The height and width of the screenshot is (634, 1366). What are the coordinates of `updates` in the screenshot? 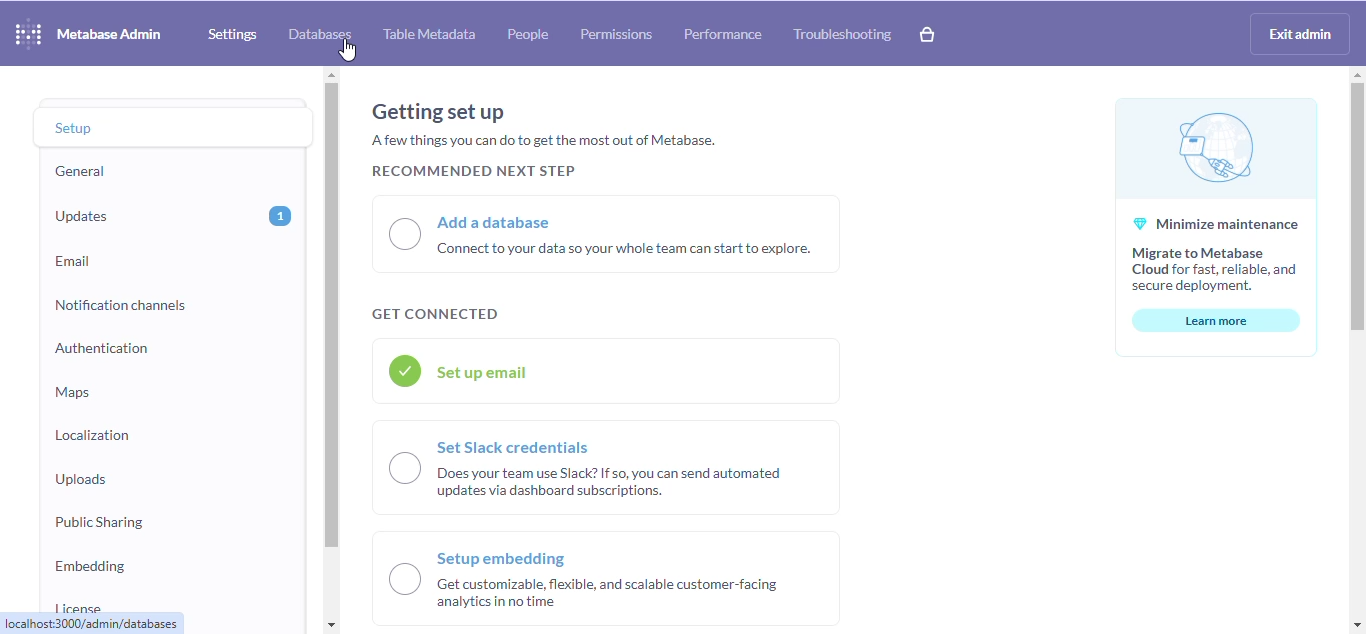 It's located at (87, 216).